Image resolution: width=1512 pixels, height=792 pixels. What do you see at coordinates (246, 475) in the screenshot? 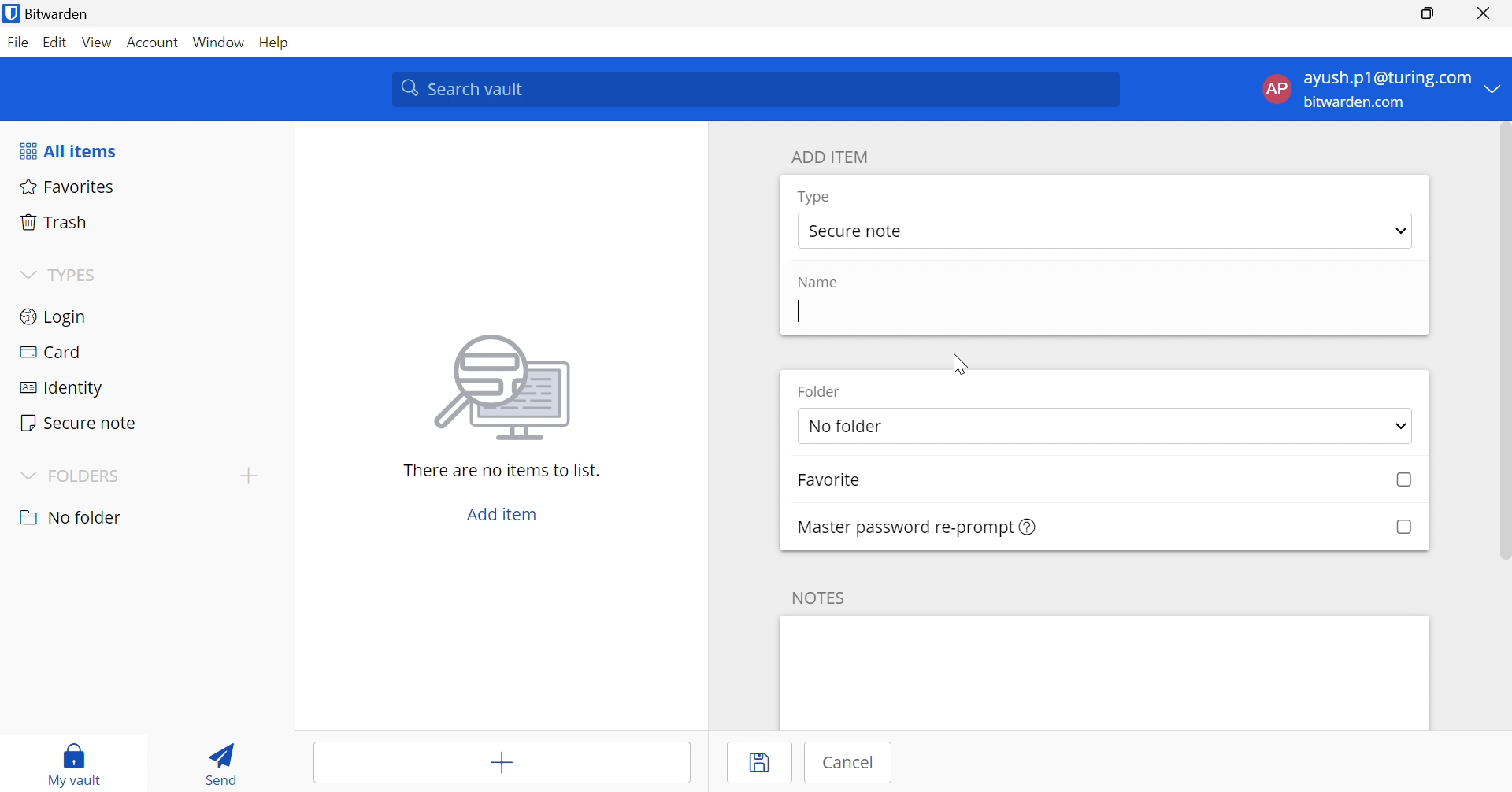
I see `Add folder` at bounding box center [246, 475].